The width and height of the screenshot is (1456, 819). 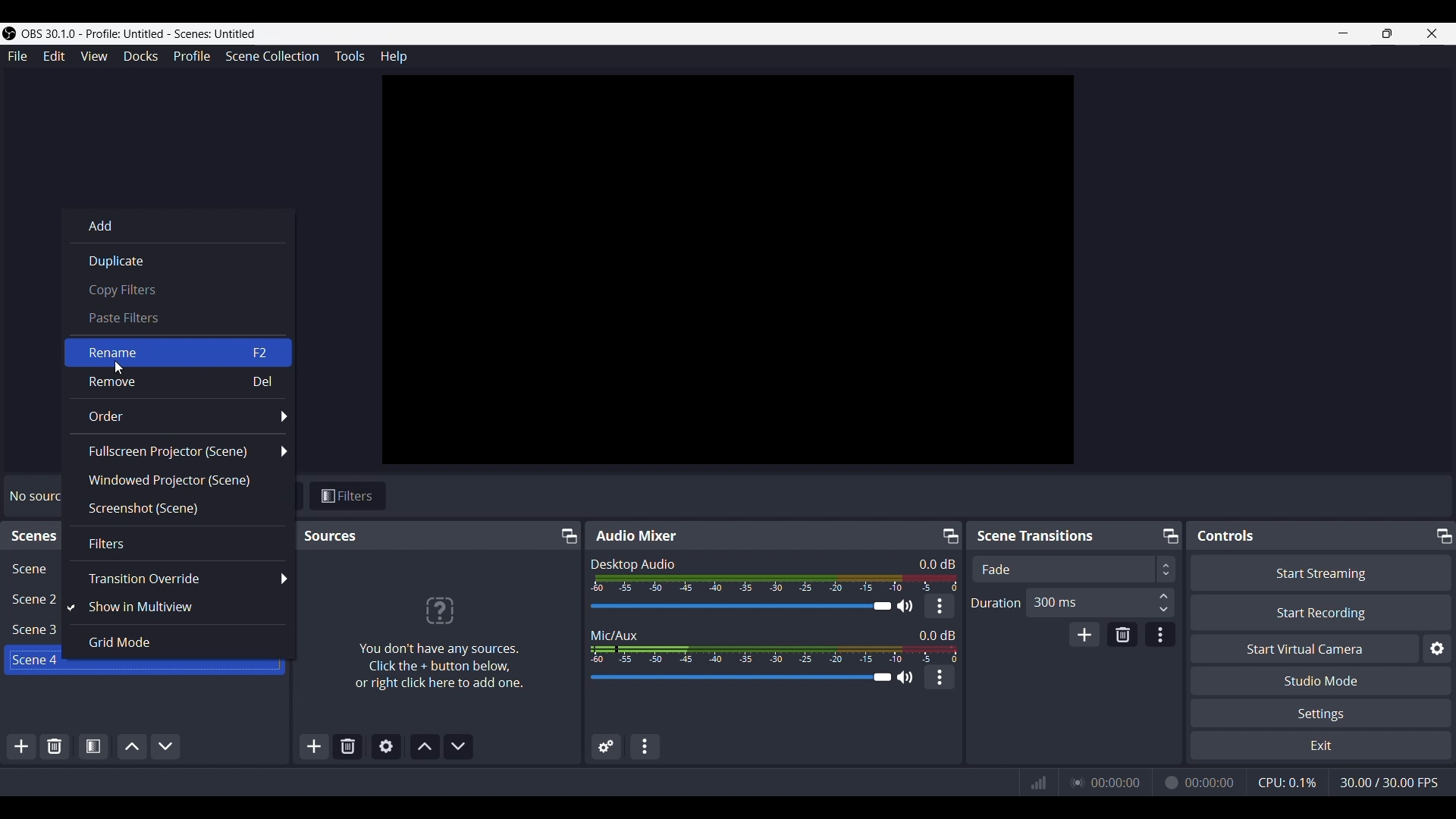 I want to click on Tools, so click(x=350, y=55).